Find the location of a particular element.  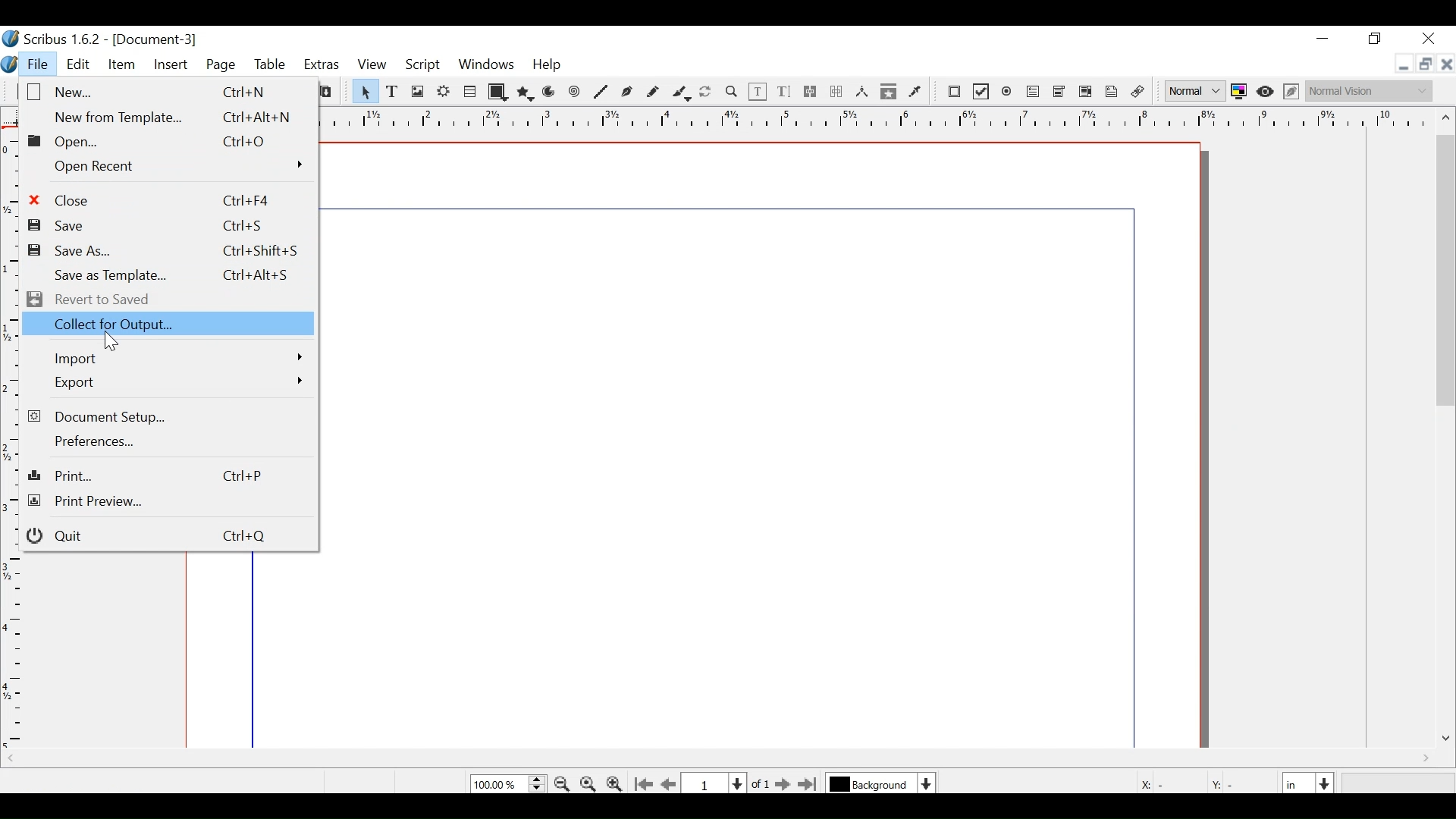

PDF List Box is located at coordinates (1087, 93).